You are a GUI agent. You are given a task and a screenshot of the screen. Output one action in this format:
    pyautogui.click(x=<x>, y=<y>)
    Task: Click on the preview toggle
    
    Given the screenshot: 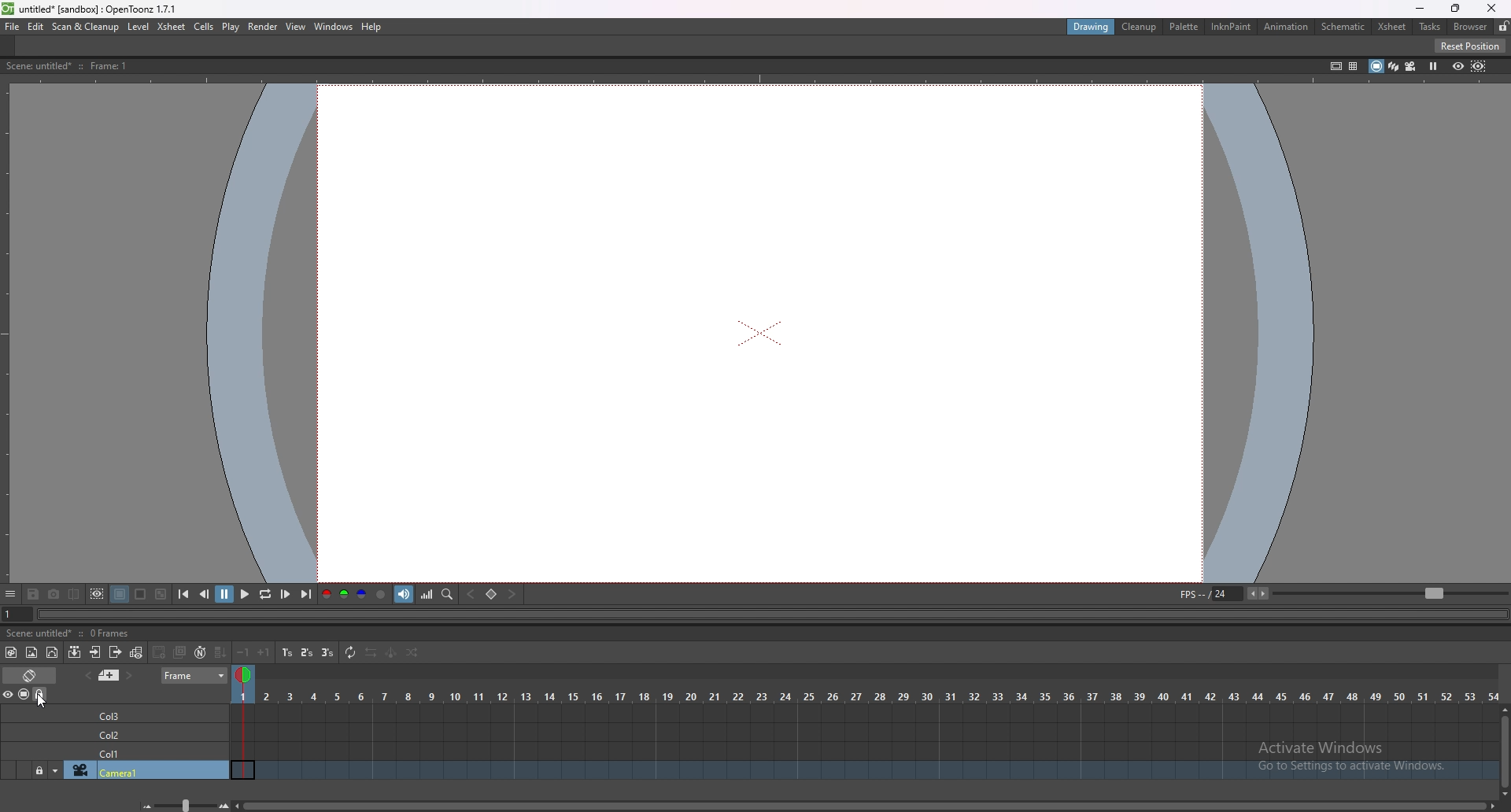 What is the action you would take?
    pyautogui.click(x=9, y=694)
    